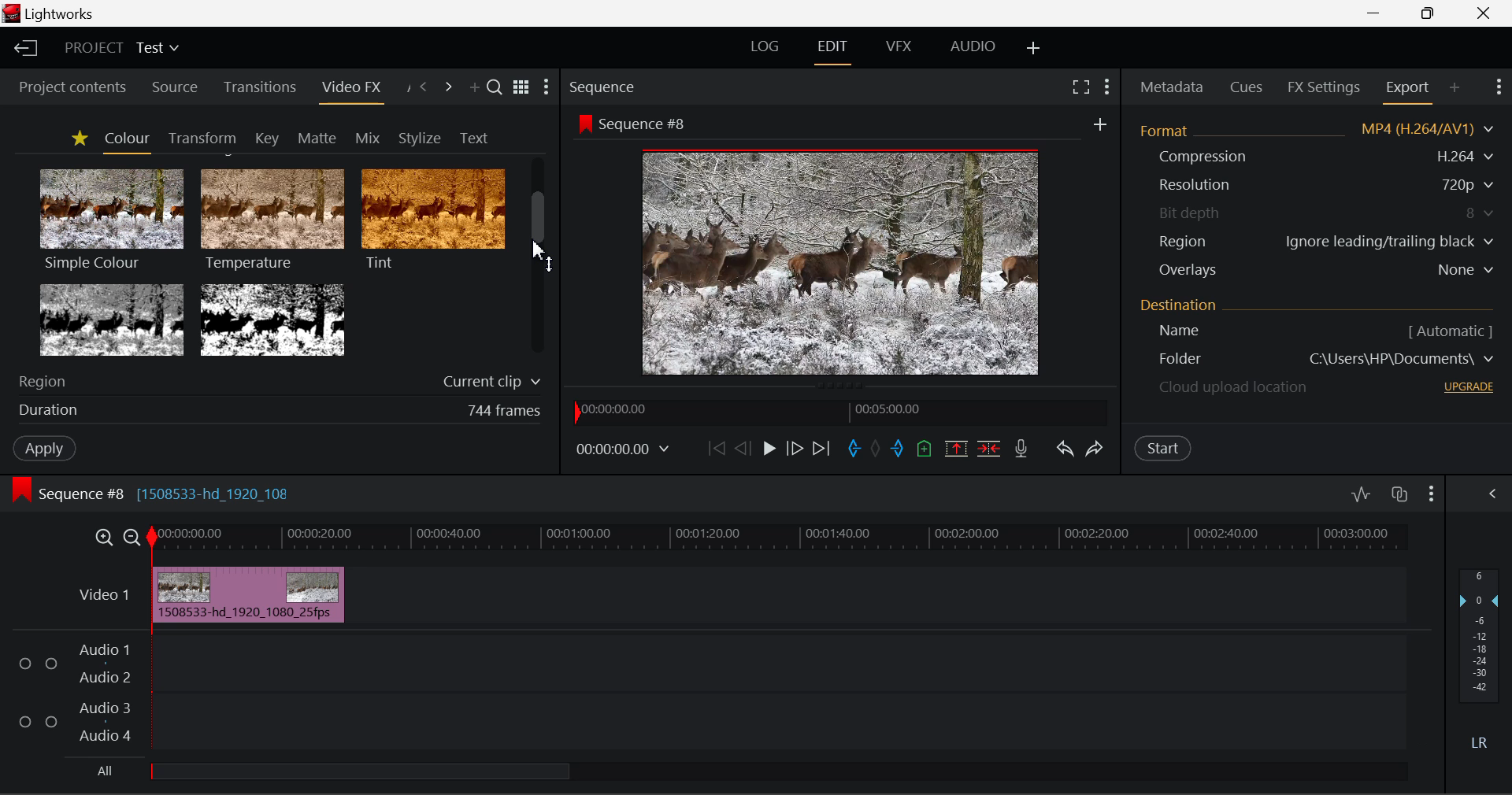 The image size is (1512, 795). I want to click on Colour, so click(124, 139).